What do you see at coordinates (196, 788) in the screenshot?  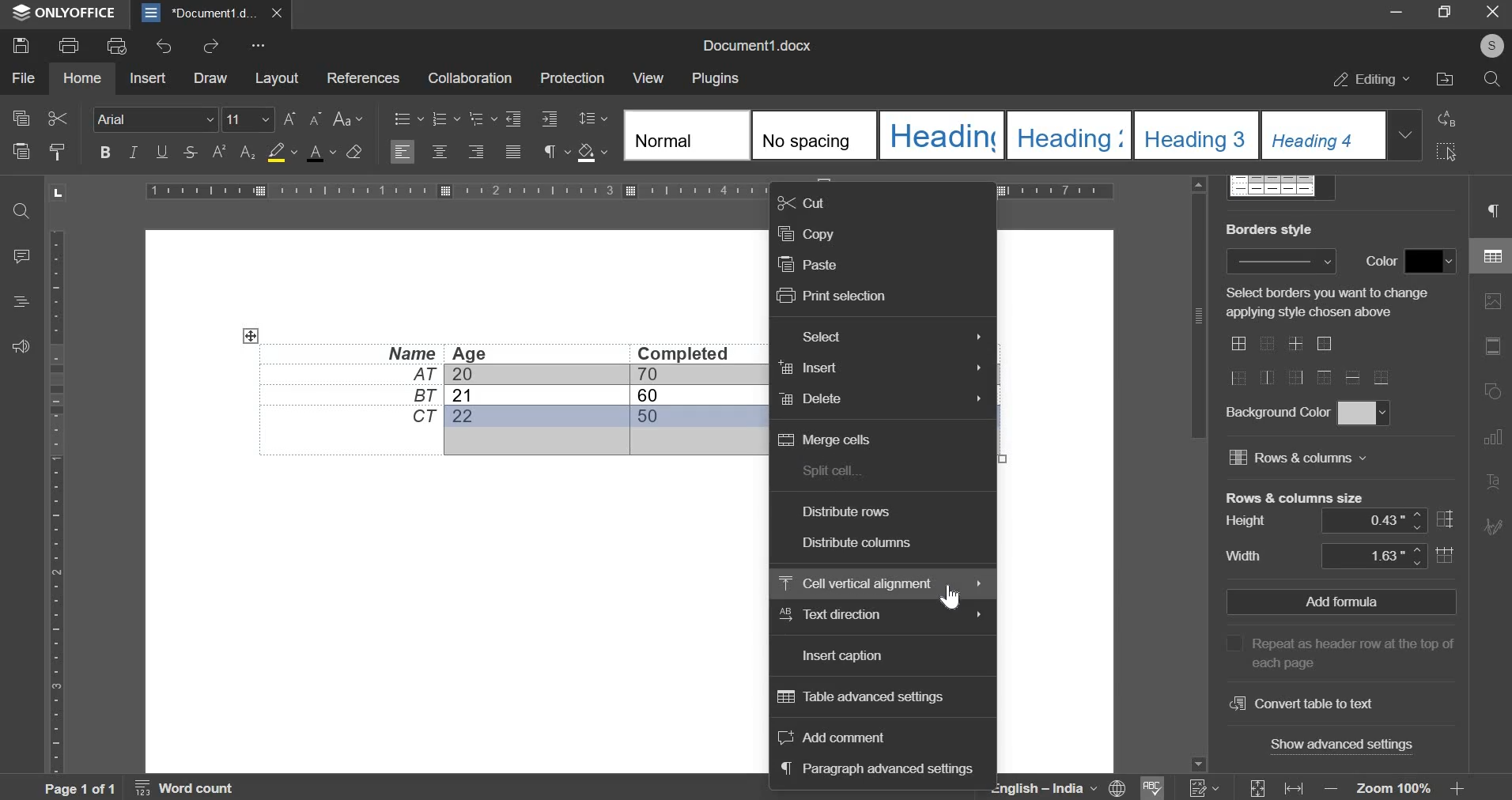 I see `‘Word count` at bounding box center [196, 788].